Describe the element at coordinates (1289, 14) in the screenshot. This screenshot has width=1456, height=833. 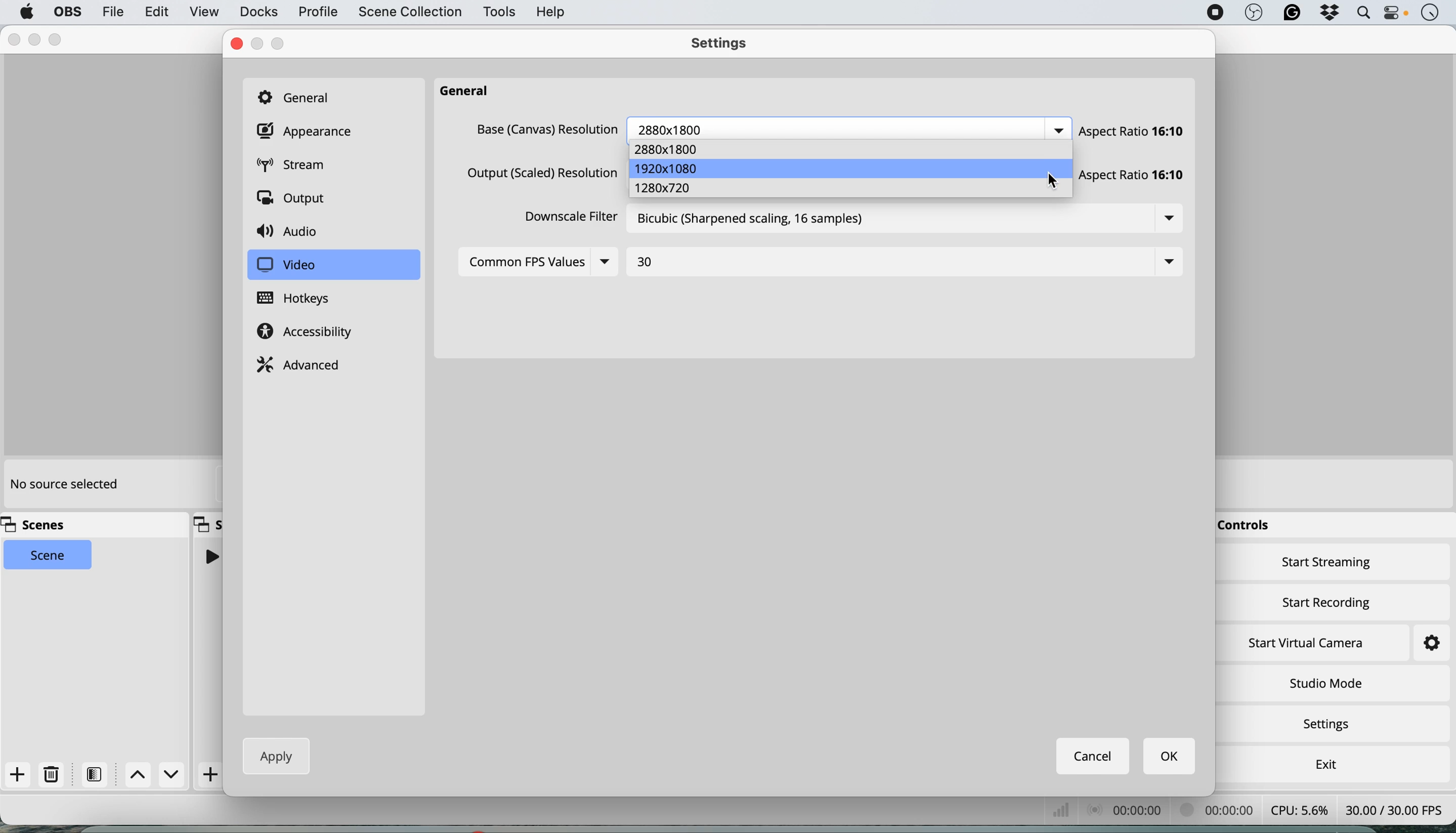
I see `grammarly` at that location.